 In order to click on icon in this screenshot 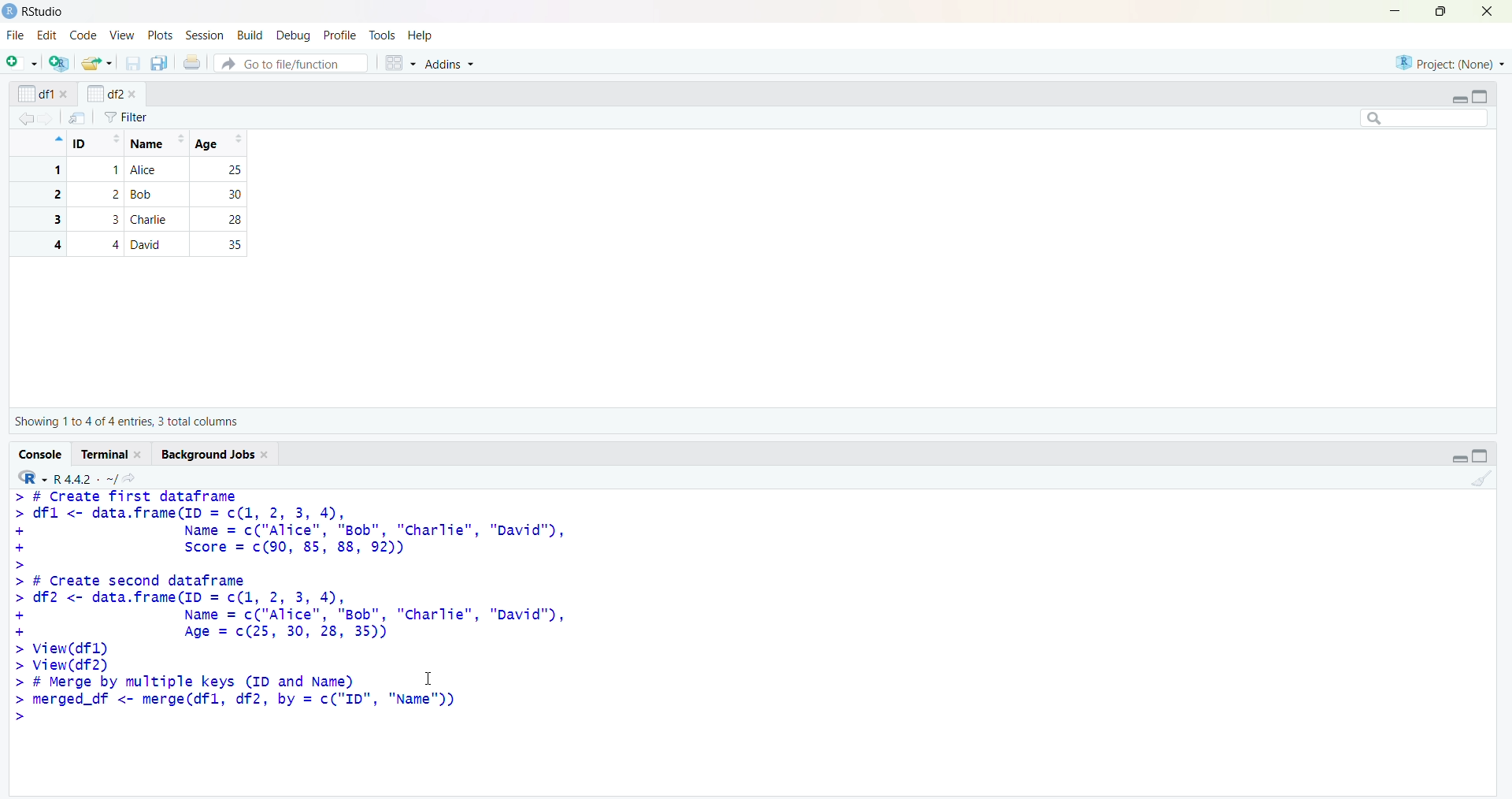, I will do `click(57, 139)`.